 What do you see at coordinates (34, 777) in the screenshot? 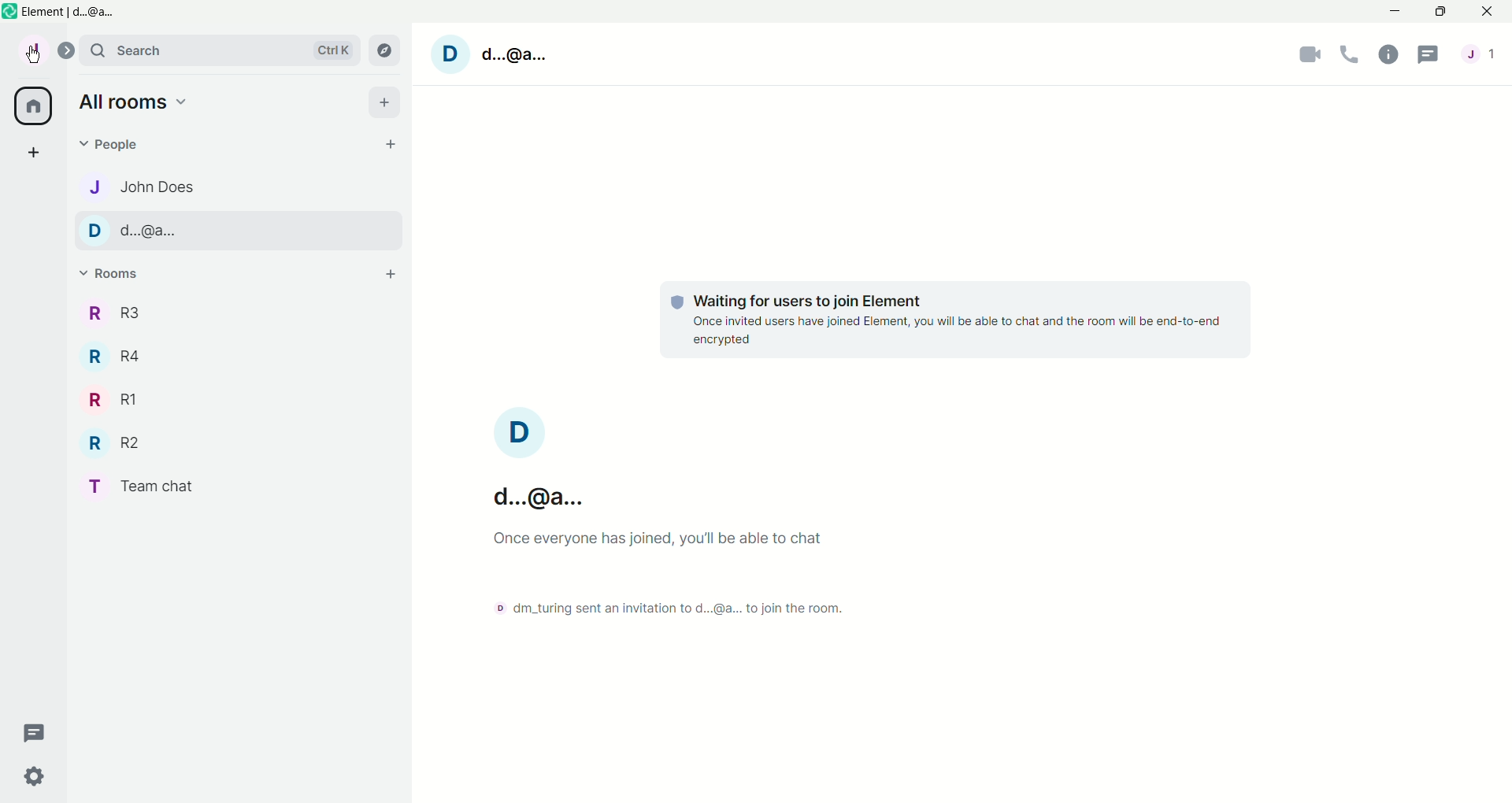
I see `Quick Settings` at bounding box center [34, 777].